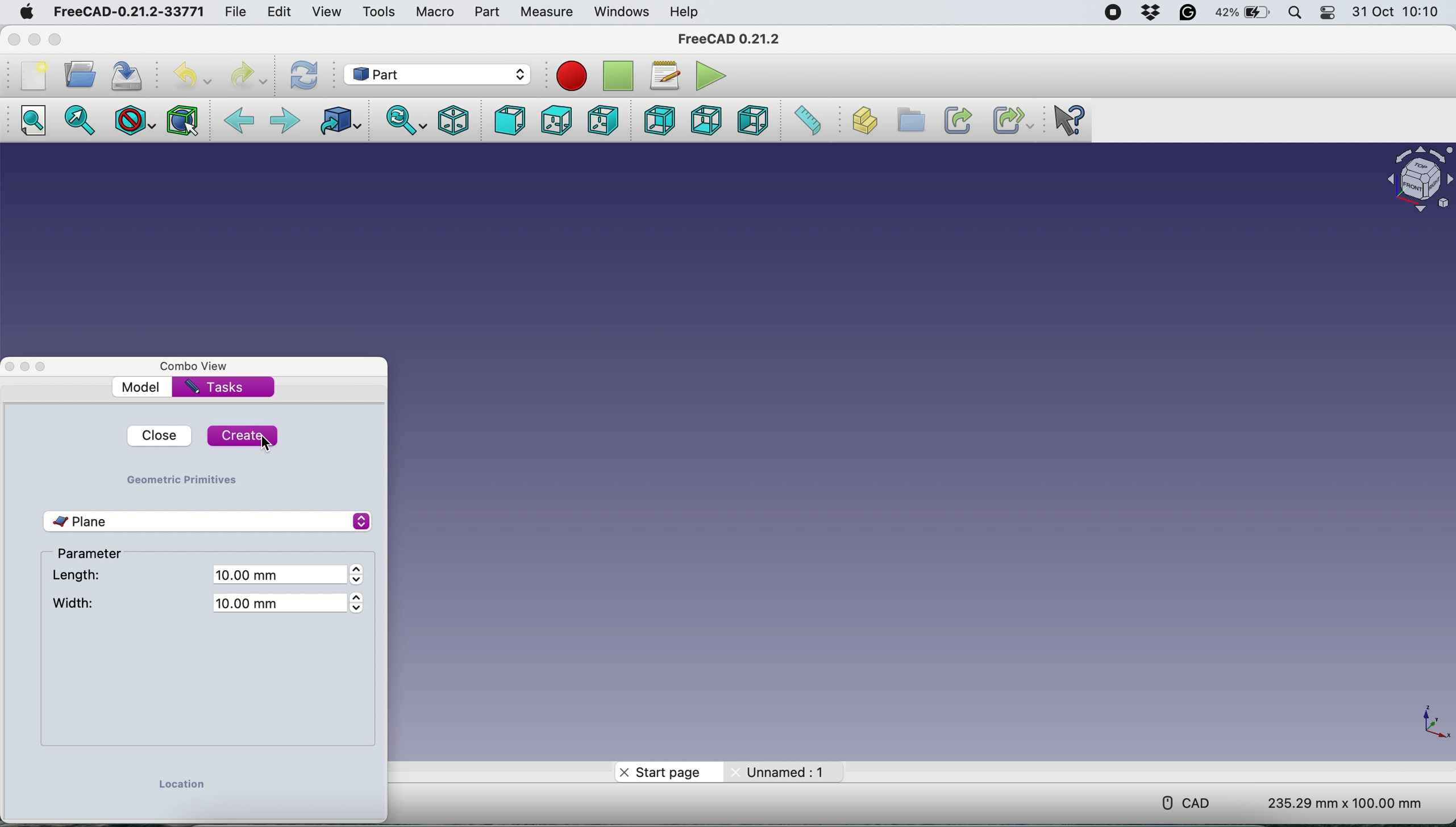 The height and width of the screenshot is (827, 1456). What do you see at coordinates (281, 13) in the screenshot?
I see `Edit` at bounding box center [281, 13].